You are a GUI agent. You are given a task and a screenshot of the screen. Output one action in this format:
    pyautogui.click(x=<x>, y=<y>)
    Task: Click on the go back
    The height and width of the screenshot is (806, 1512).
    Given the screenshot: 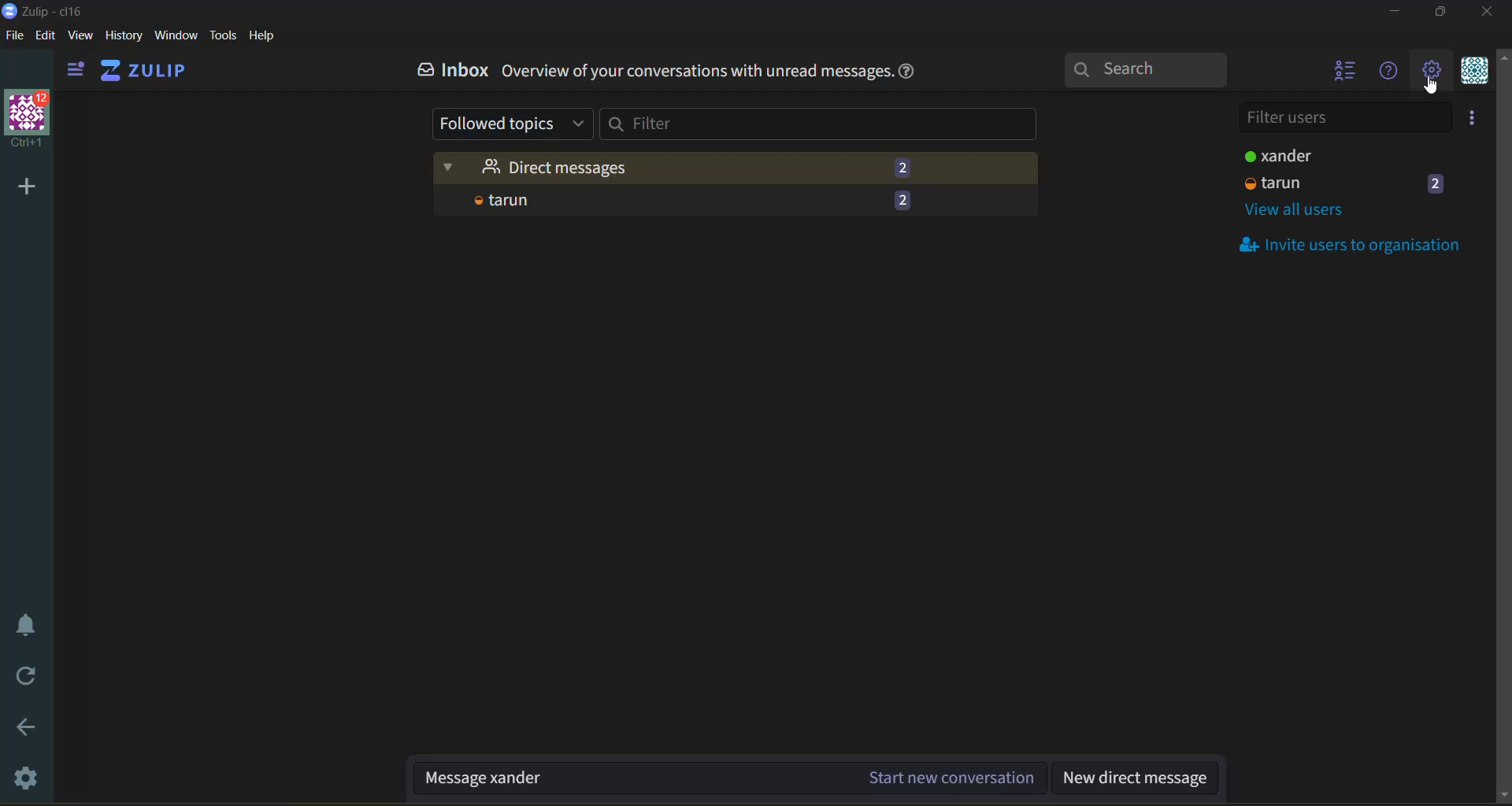 What is the action you would take?
    pyautogui.click(x=28, y=733)
    